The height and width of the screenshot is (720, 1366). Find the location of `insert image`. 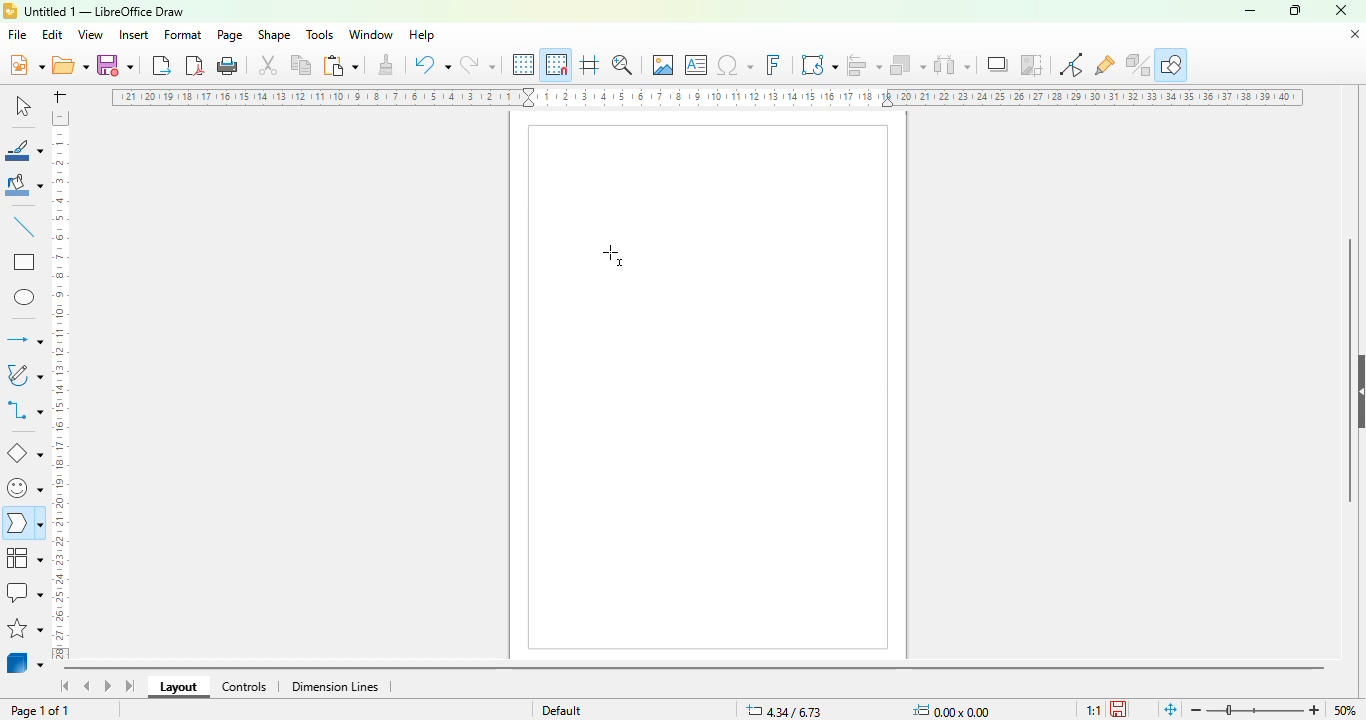

insert image is located at coordinates (663, 64).